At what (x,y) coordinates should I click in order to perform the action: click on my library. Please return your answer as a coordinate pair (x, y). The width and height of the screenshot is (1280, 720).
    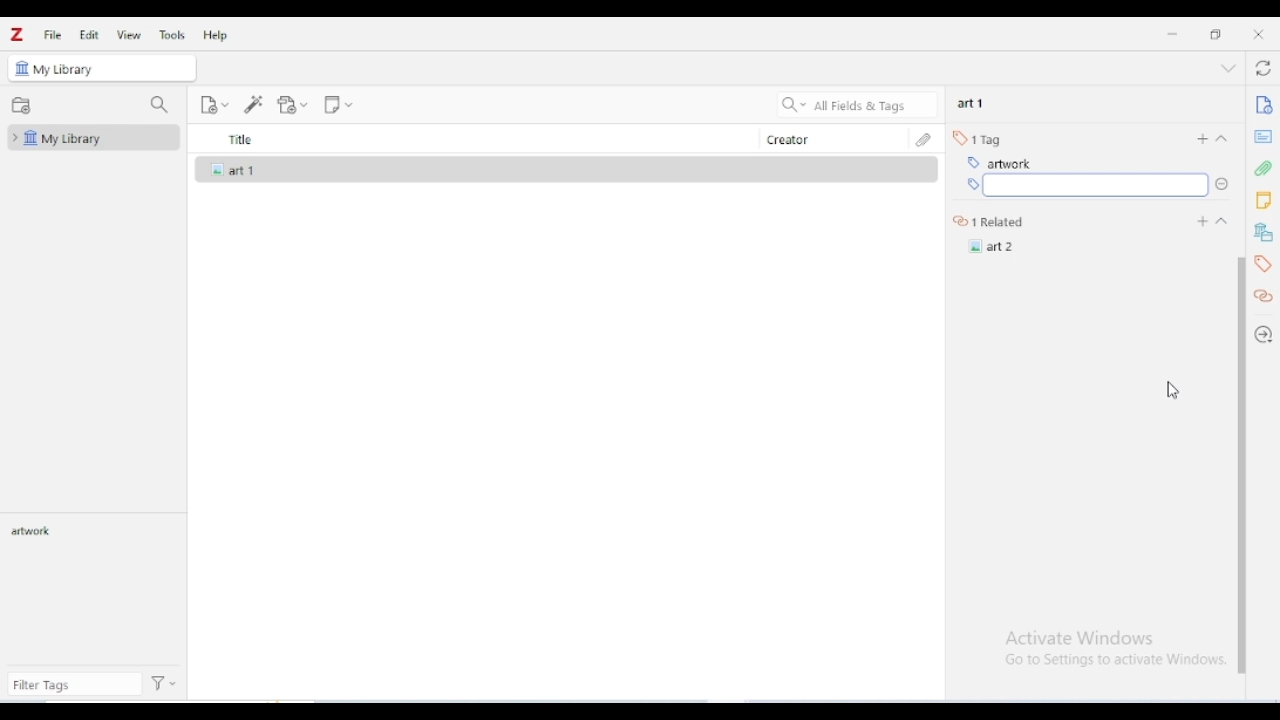
    Looking at the image, I should click on (101, 67).